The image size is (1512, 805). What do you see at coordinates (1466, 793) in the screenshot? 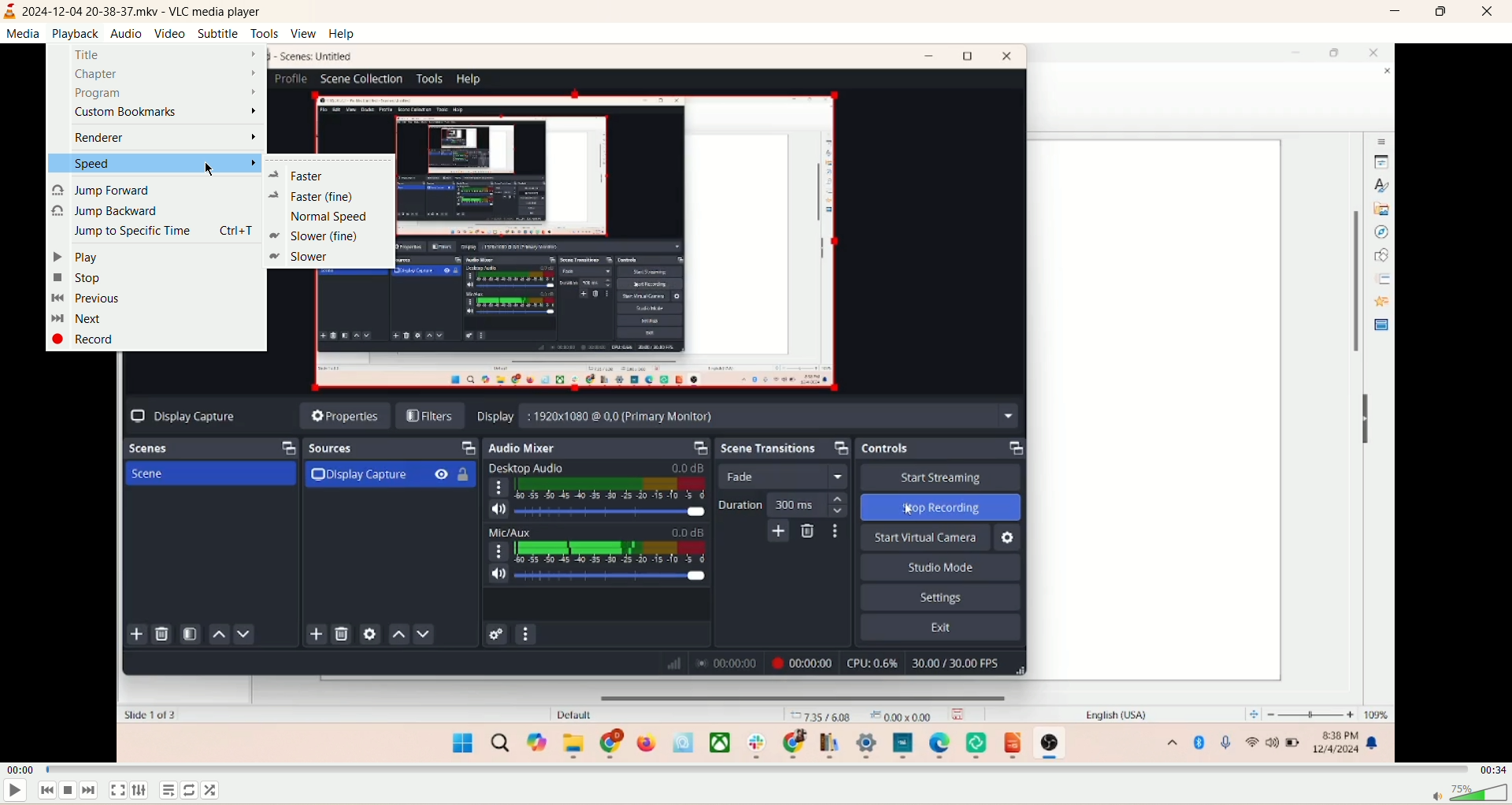
I see `volume bar` at bounding box center [1466, 793].